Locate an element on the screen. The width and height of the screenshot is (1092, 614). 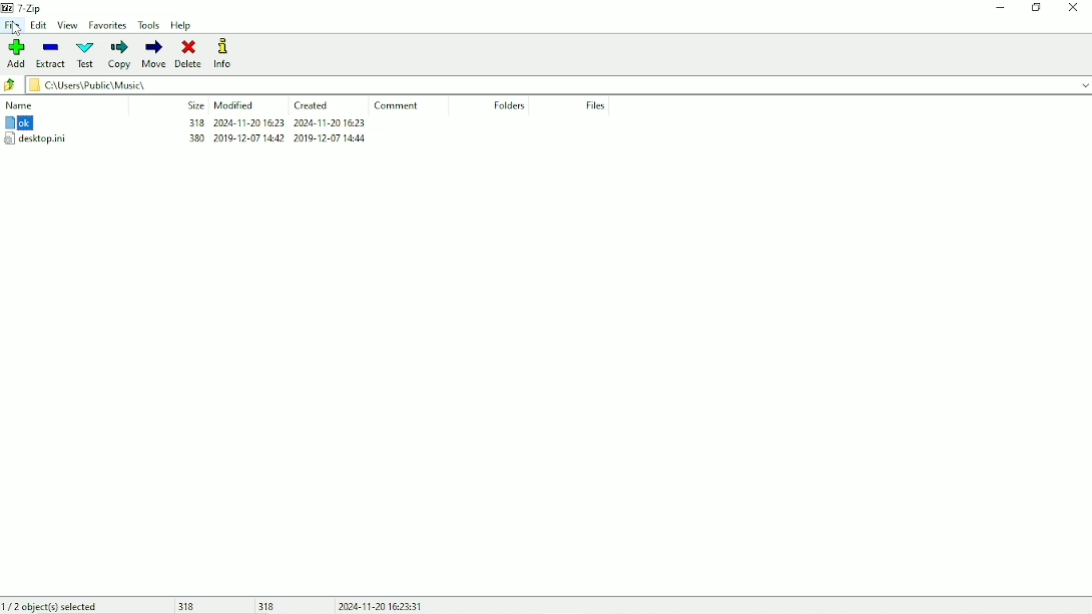
Extract is located at coordinates (53, 54).